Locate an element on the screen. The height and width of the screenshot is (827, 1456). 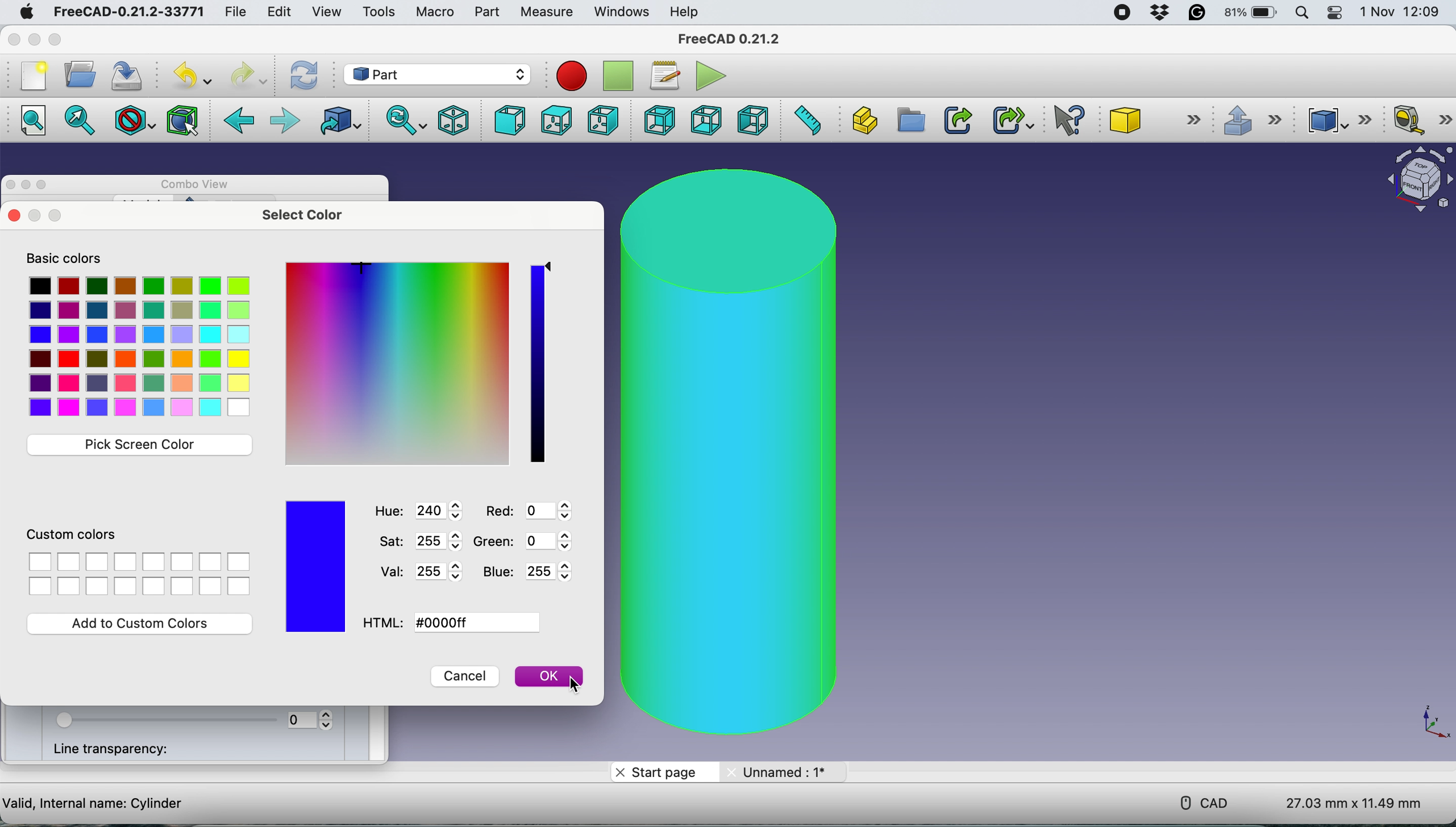
hue is located at coordinates (415, 512).